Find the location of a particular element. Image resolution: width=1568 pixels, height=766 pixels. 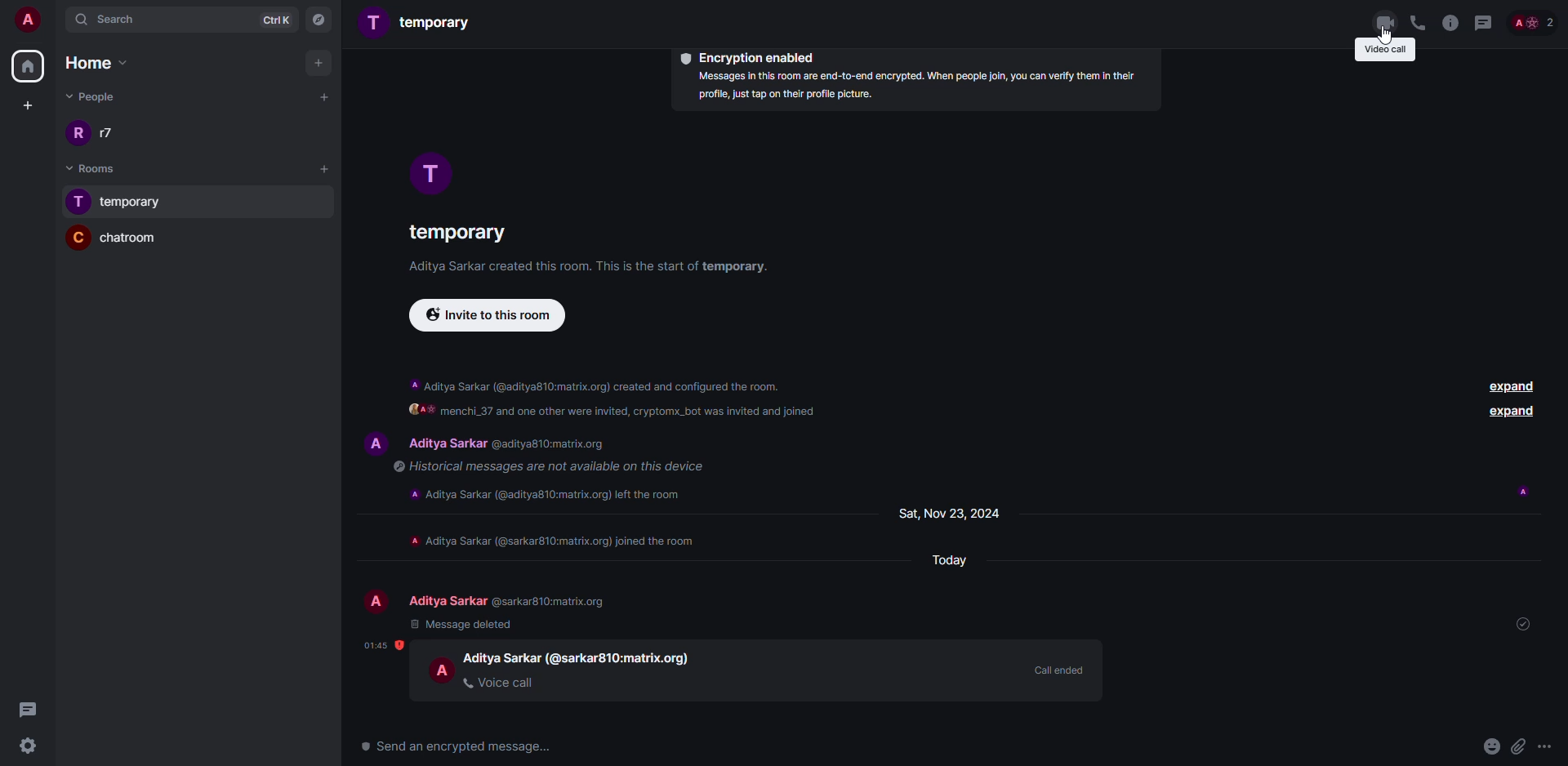

emoji is located at coordinates (1490, 746).